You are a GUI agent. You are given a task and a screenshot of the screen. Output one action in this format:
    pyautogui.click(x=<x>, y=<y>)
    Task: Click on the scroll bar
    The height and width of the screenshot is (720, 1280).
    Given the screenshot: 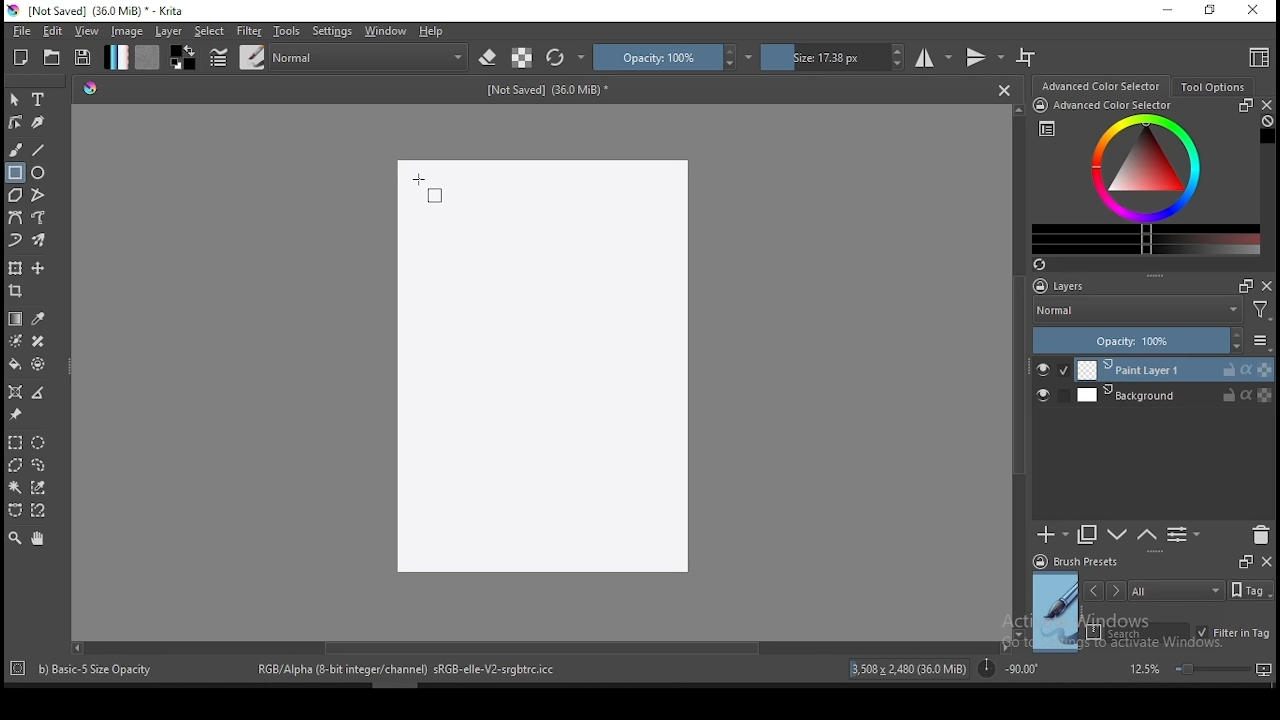 What is the action you would take?
    pyautogui.click(x=1020, y=370)
    